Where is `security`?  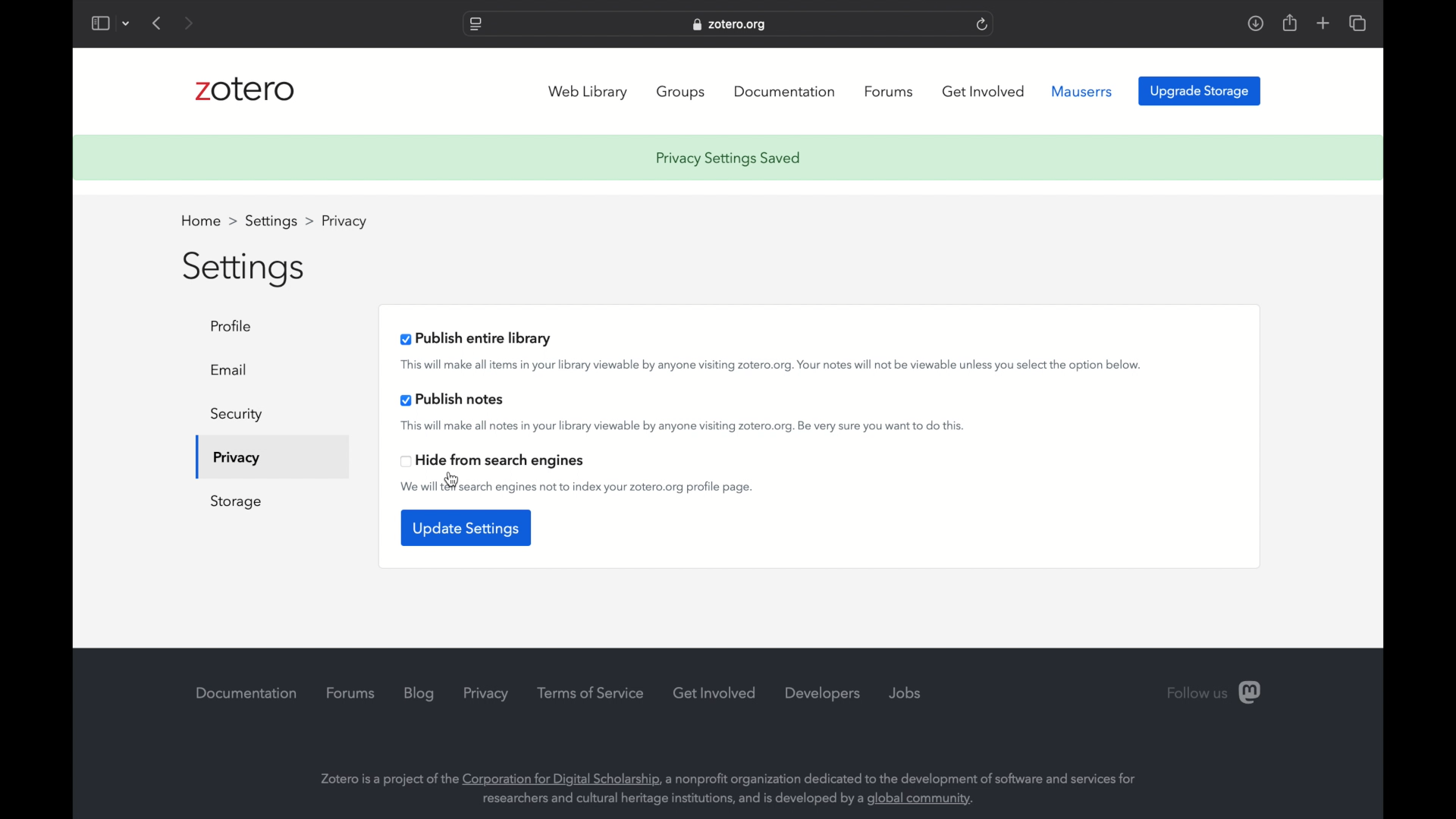 security is located at coordinates (231, 416).